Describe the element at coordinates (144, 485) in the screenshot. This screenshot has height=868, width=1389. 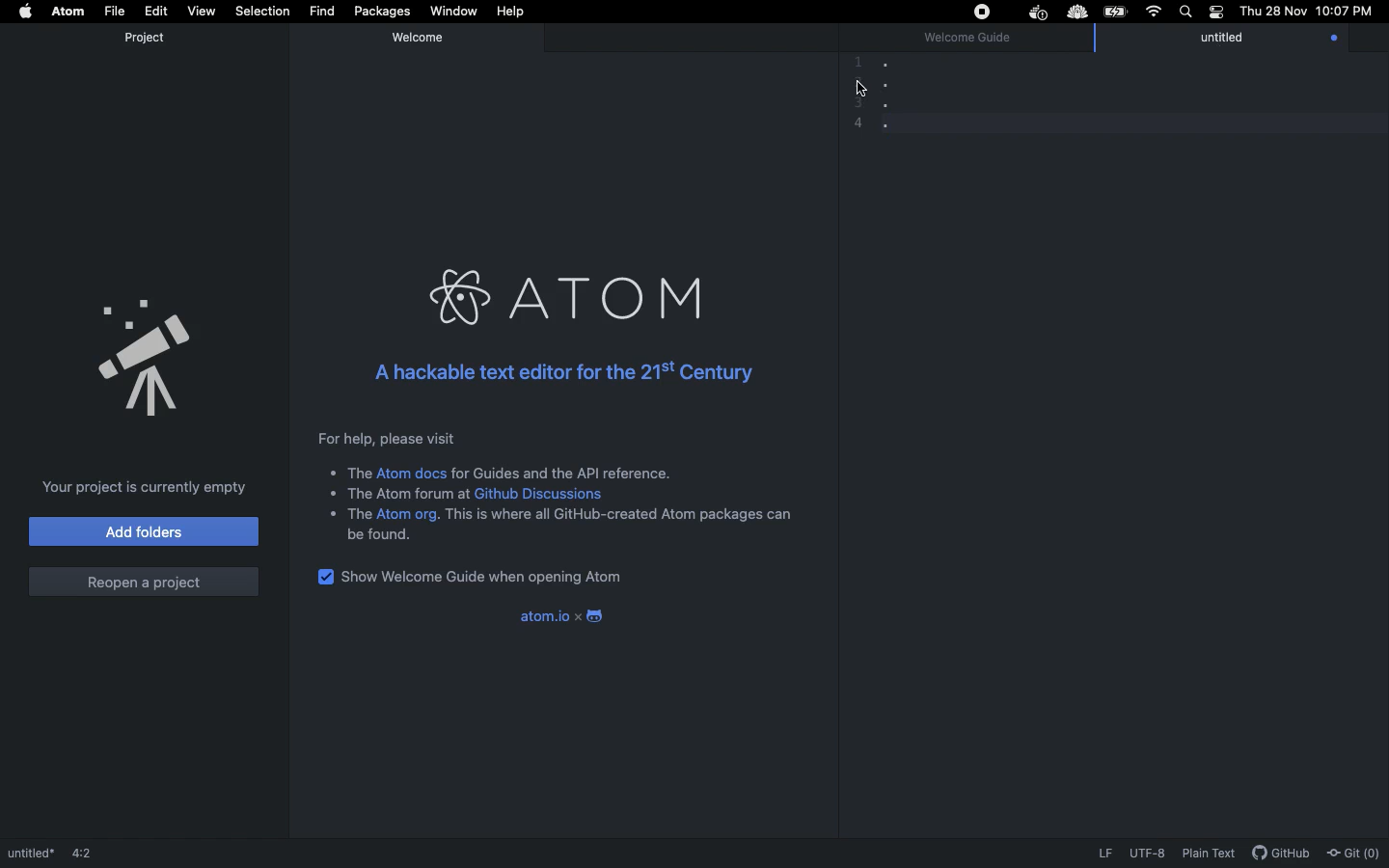
I see `Your project is currently empty` at that location.